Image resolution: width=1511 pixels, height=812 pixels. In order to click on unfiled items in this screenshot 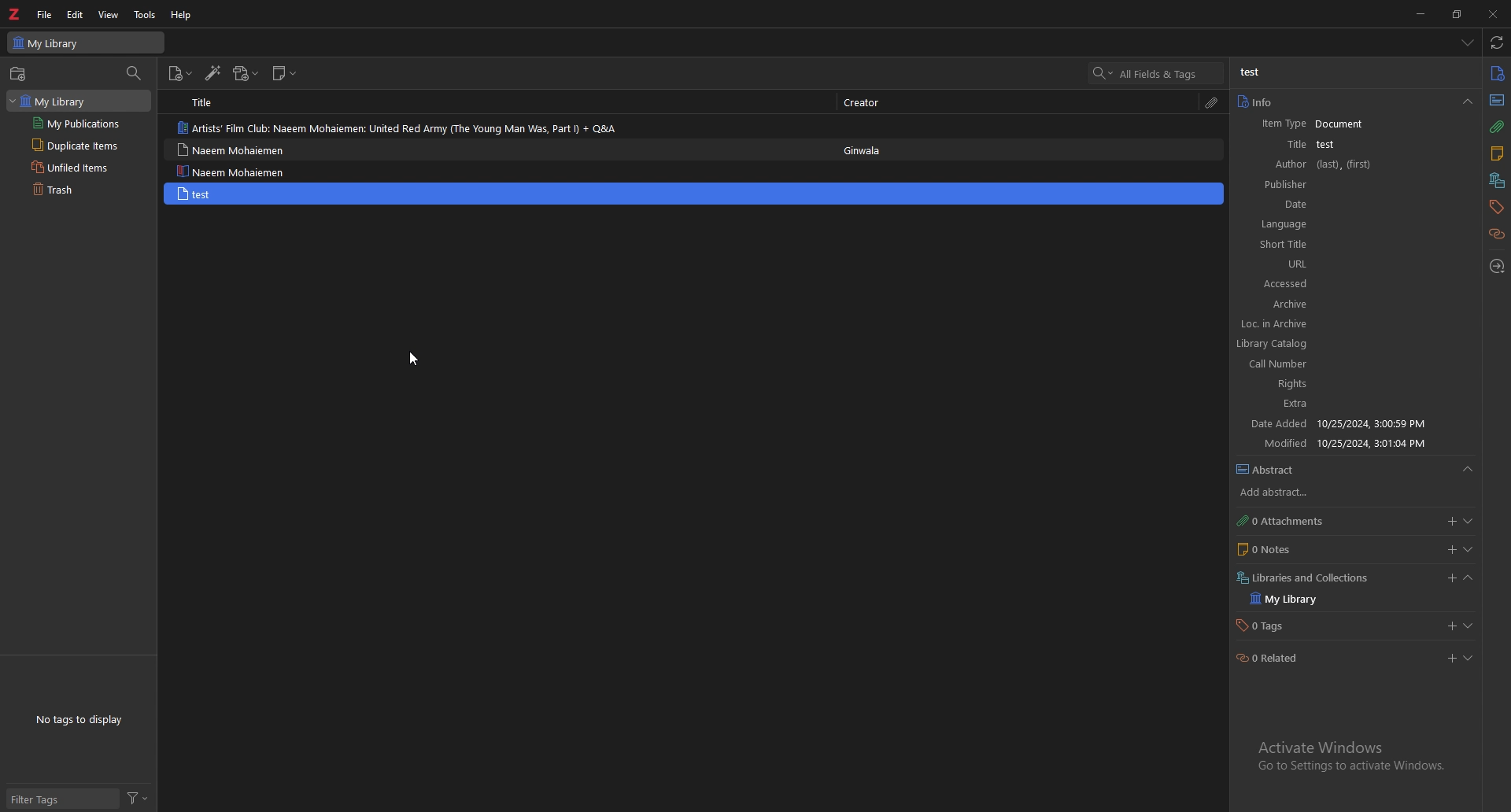, I will do `click(73, 168)`.